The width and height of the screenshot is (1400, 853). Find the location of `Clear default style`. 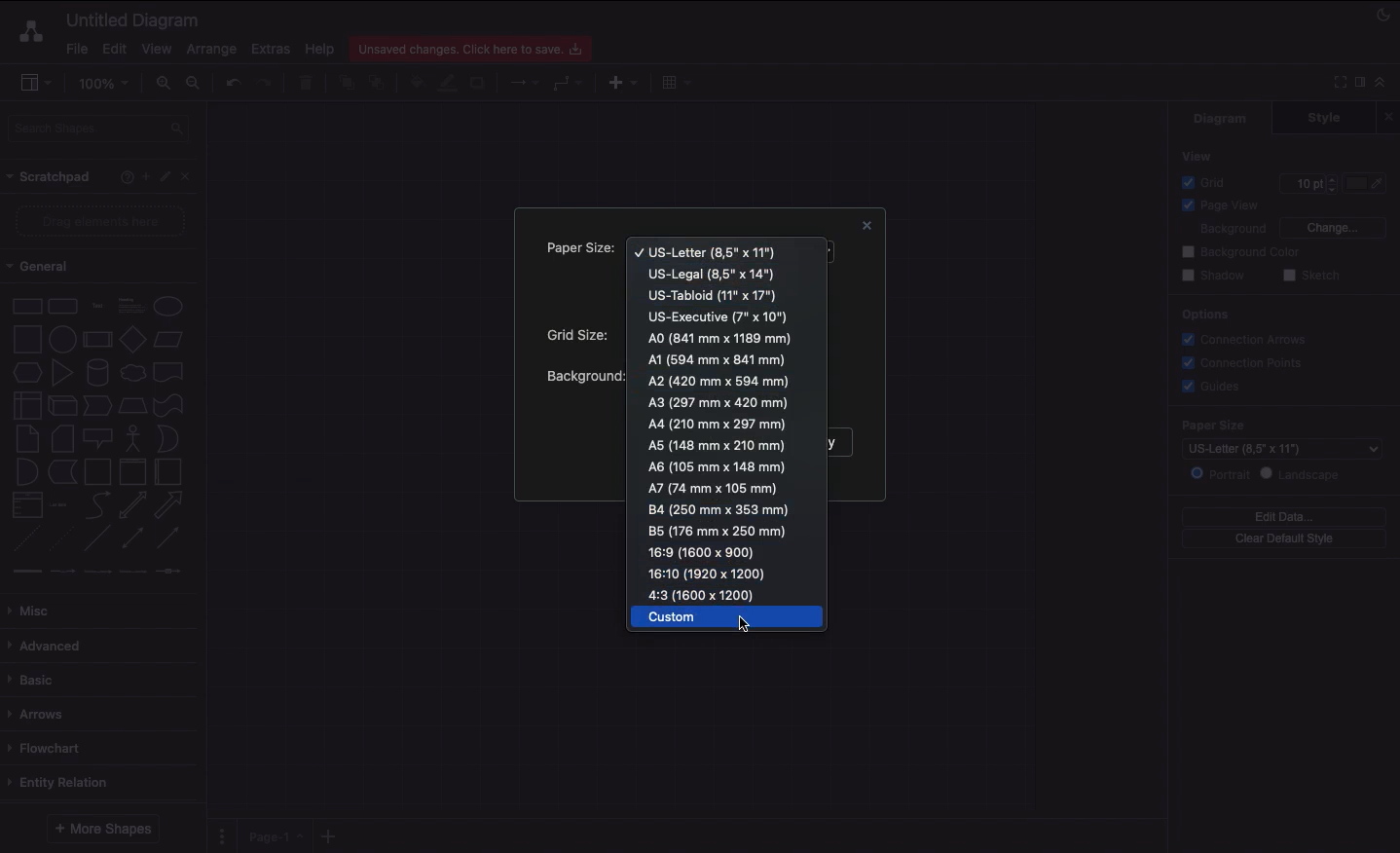

Clear default style is located at coordinates (1283, 539).